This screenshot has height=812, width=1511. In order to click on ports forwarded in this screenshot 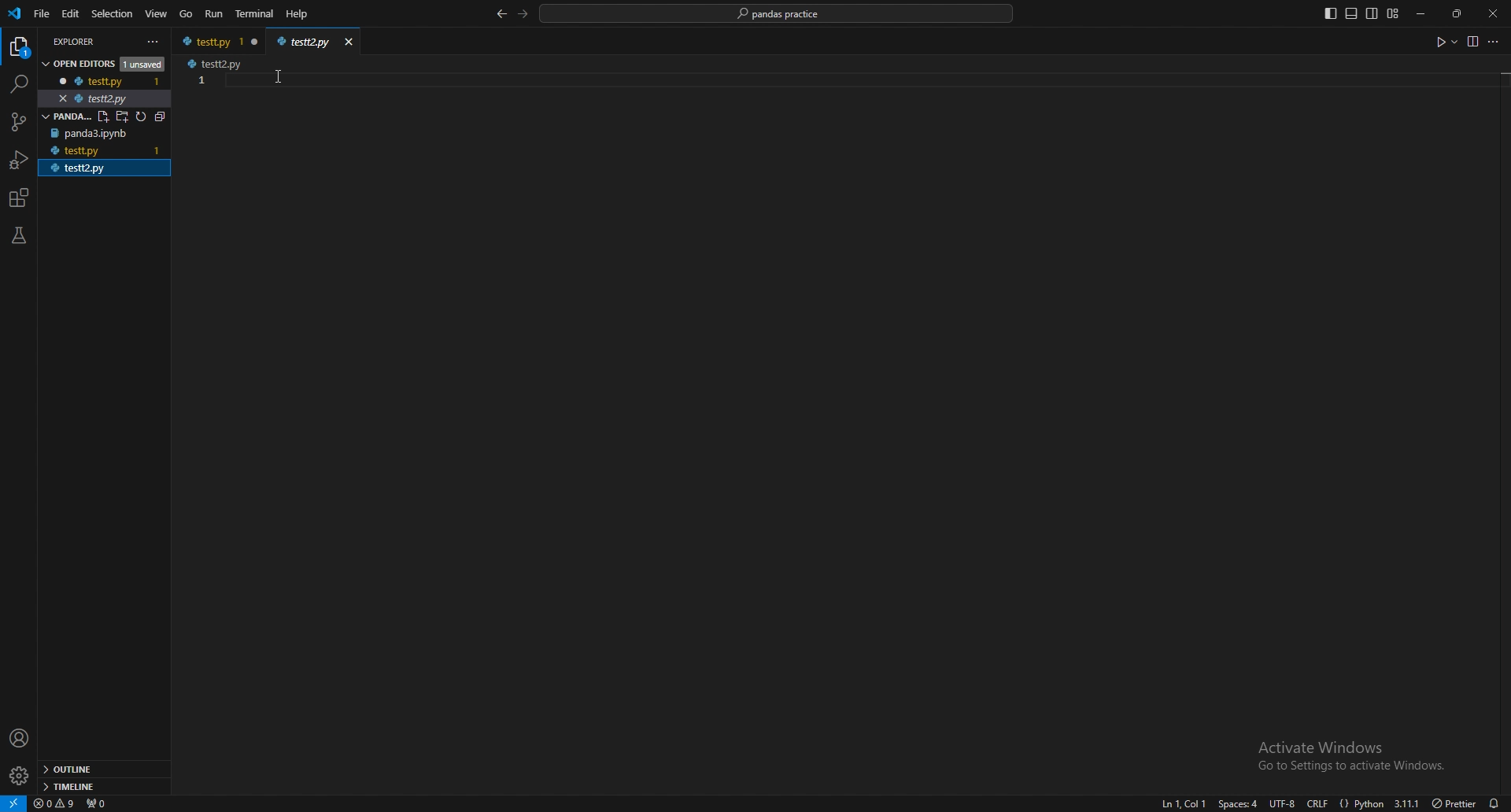, I will do `click(95, 802)`.